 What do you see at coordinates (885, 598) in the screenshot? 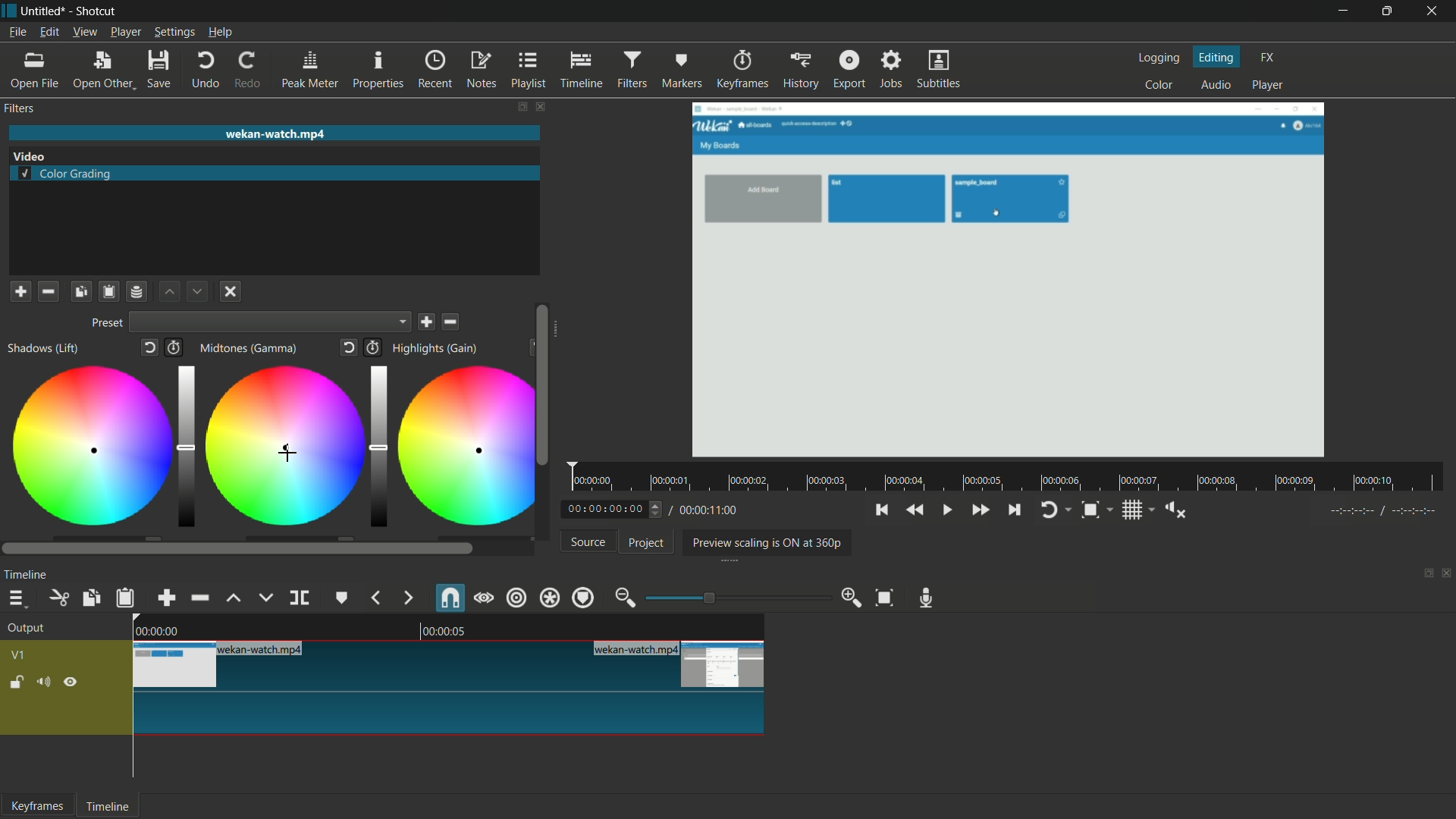
I see `zoom timeline to fit` at bounding box center [885, 598].